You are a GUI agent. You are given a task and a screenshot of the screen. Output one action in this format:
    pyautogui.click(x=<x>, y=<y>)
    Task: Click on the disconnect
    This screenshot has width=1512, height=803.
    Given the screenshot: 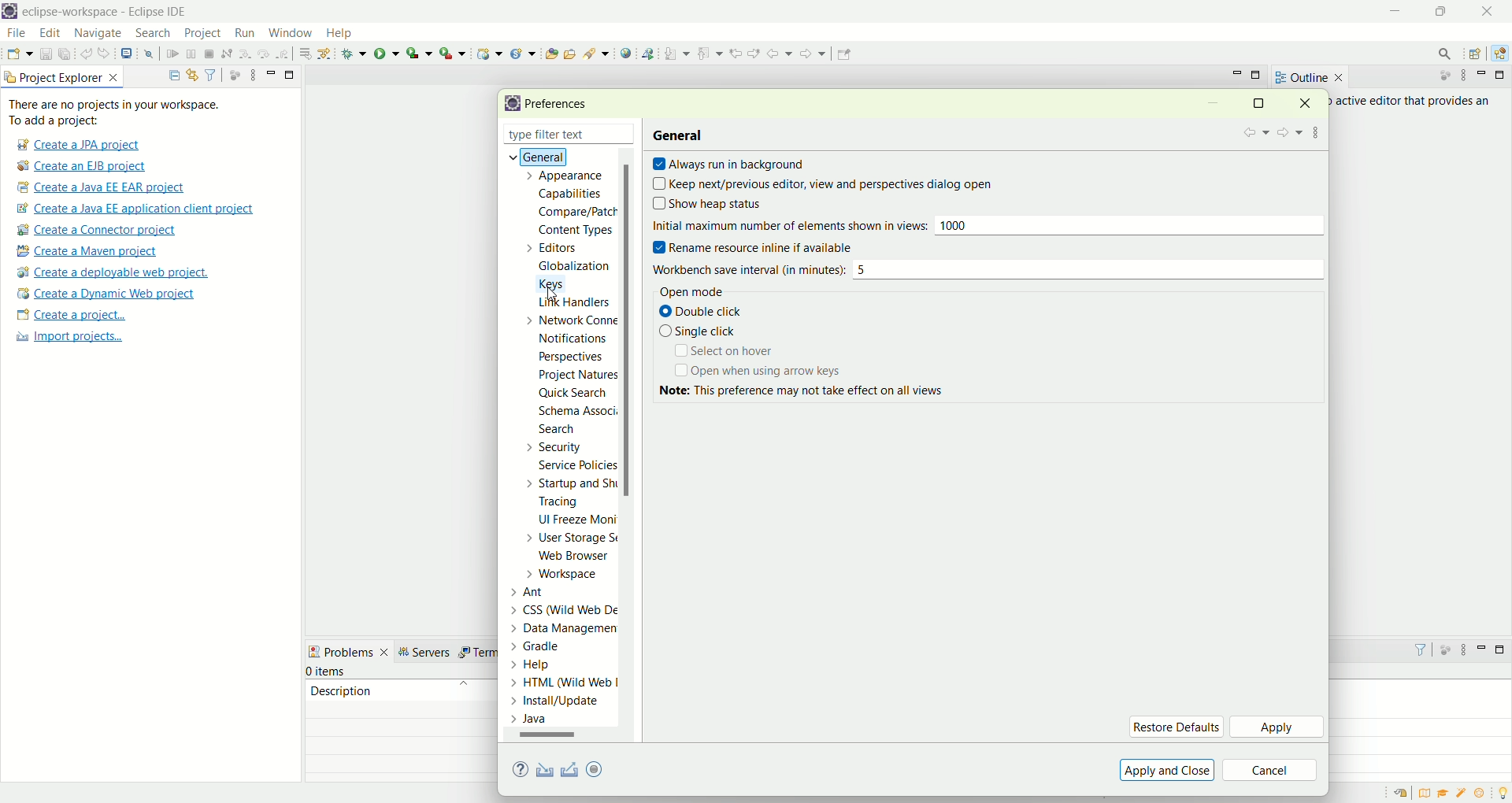 What is the action you would take?
    pyautogui.click(x=225, y=54)
    